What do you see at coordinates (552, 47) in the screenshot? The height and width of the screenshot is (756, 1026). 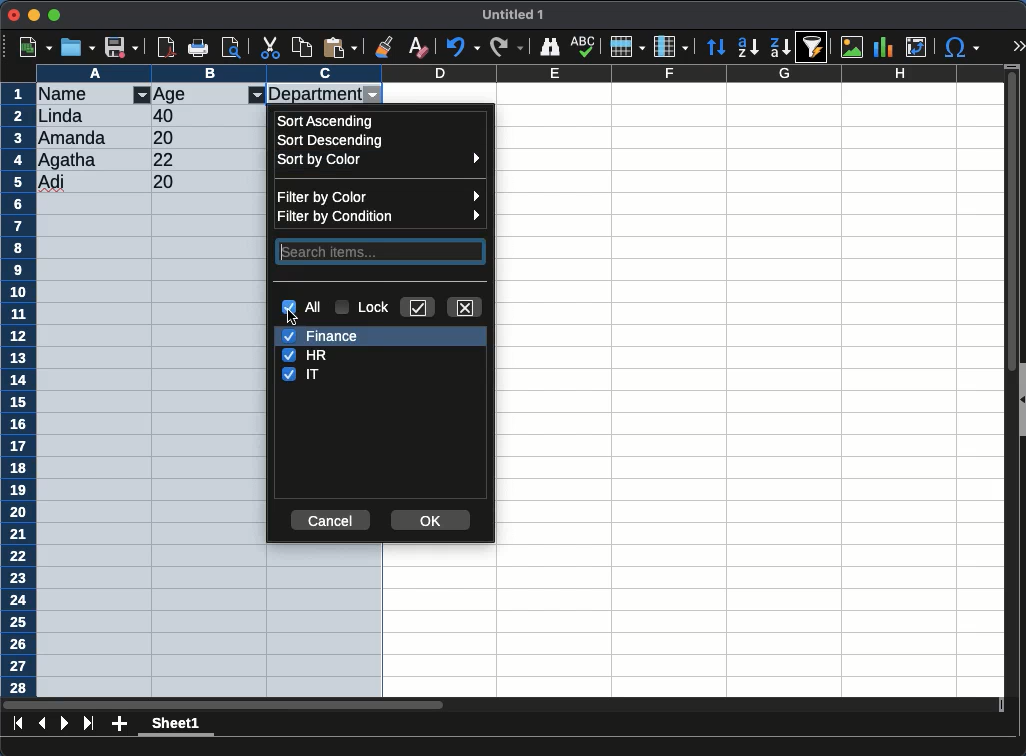 I see `finder` at bounding box center [552, 47].